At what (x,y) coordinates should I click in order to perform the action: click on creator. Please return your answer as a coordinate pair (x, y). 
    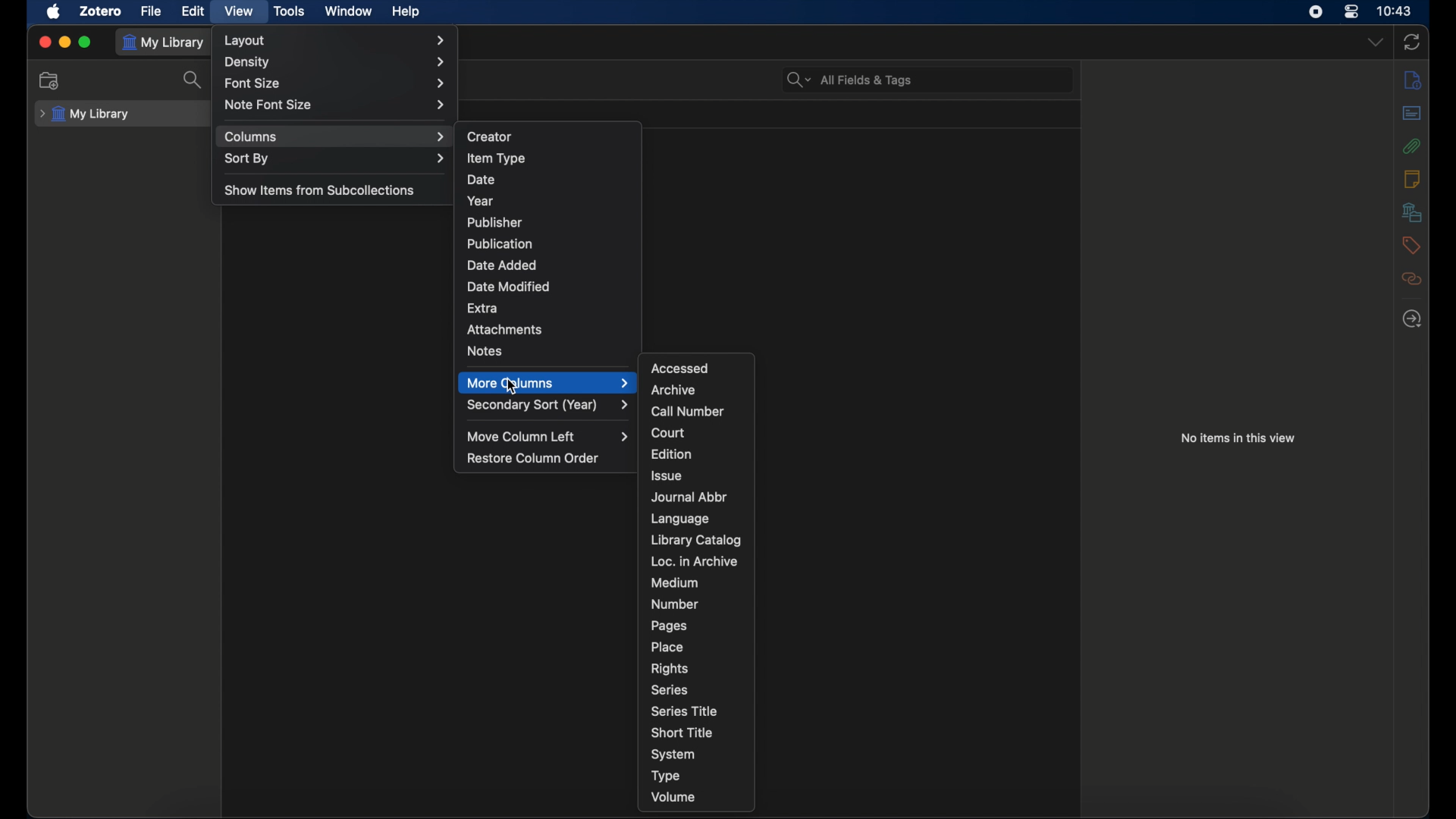
    Looking at the image, I should click on (490, 136).